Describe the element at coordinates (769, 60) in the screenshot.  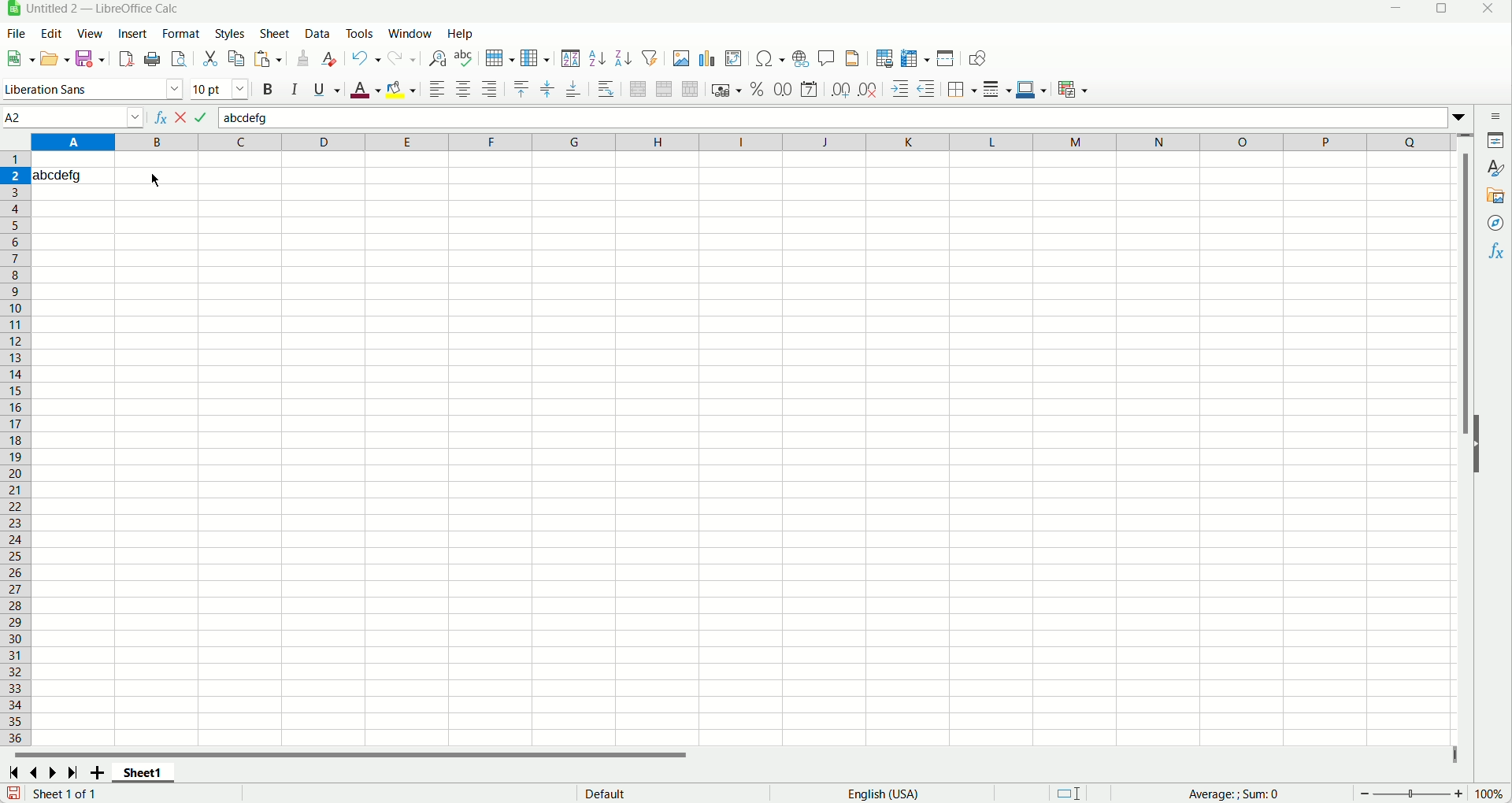
I see `insert special character` at that location.